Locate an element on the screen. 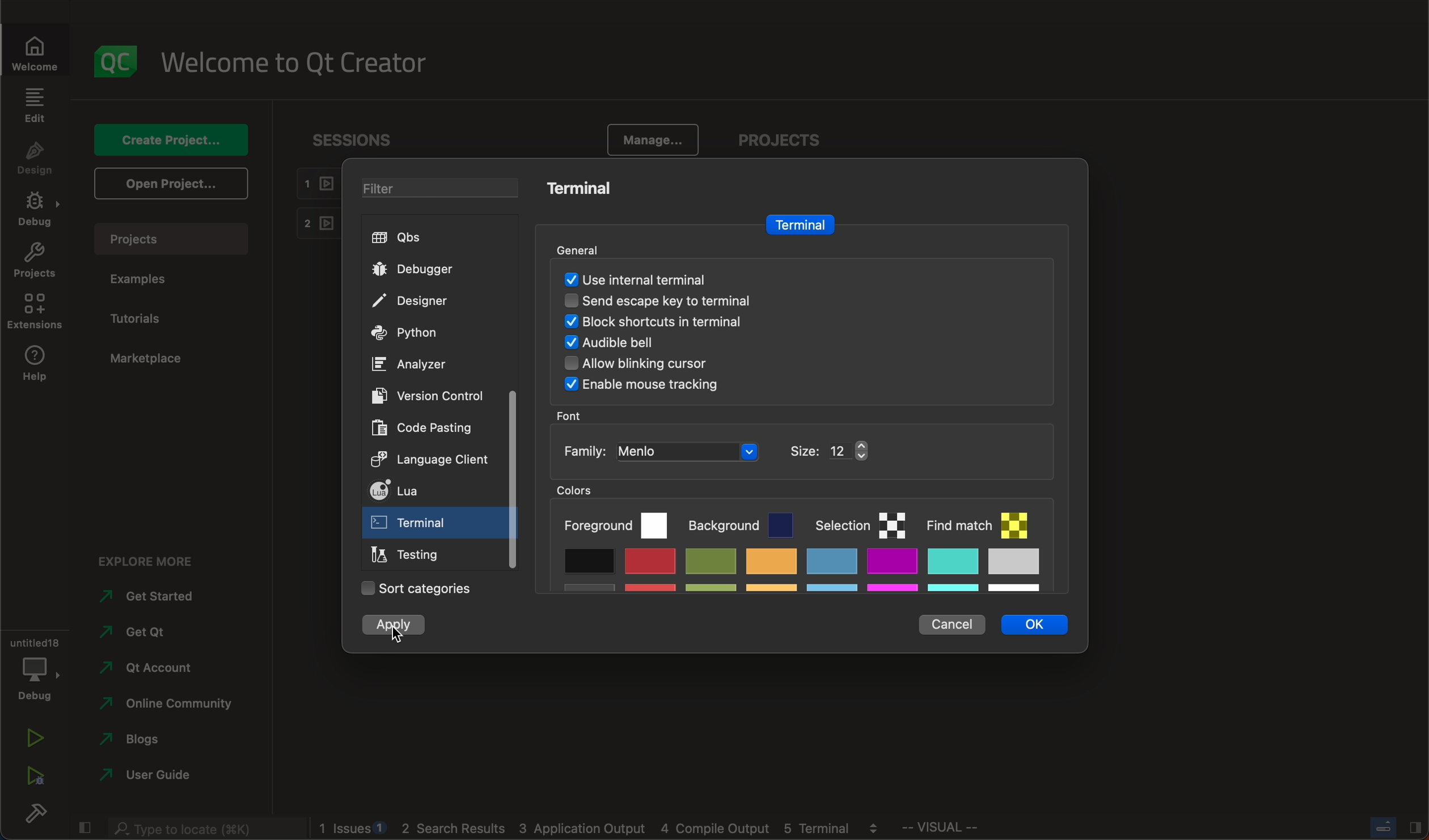 Image resolution: width=1429 pixels, height=840 pixels. welcomw is located at coordinates (39, 46).